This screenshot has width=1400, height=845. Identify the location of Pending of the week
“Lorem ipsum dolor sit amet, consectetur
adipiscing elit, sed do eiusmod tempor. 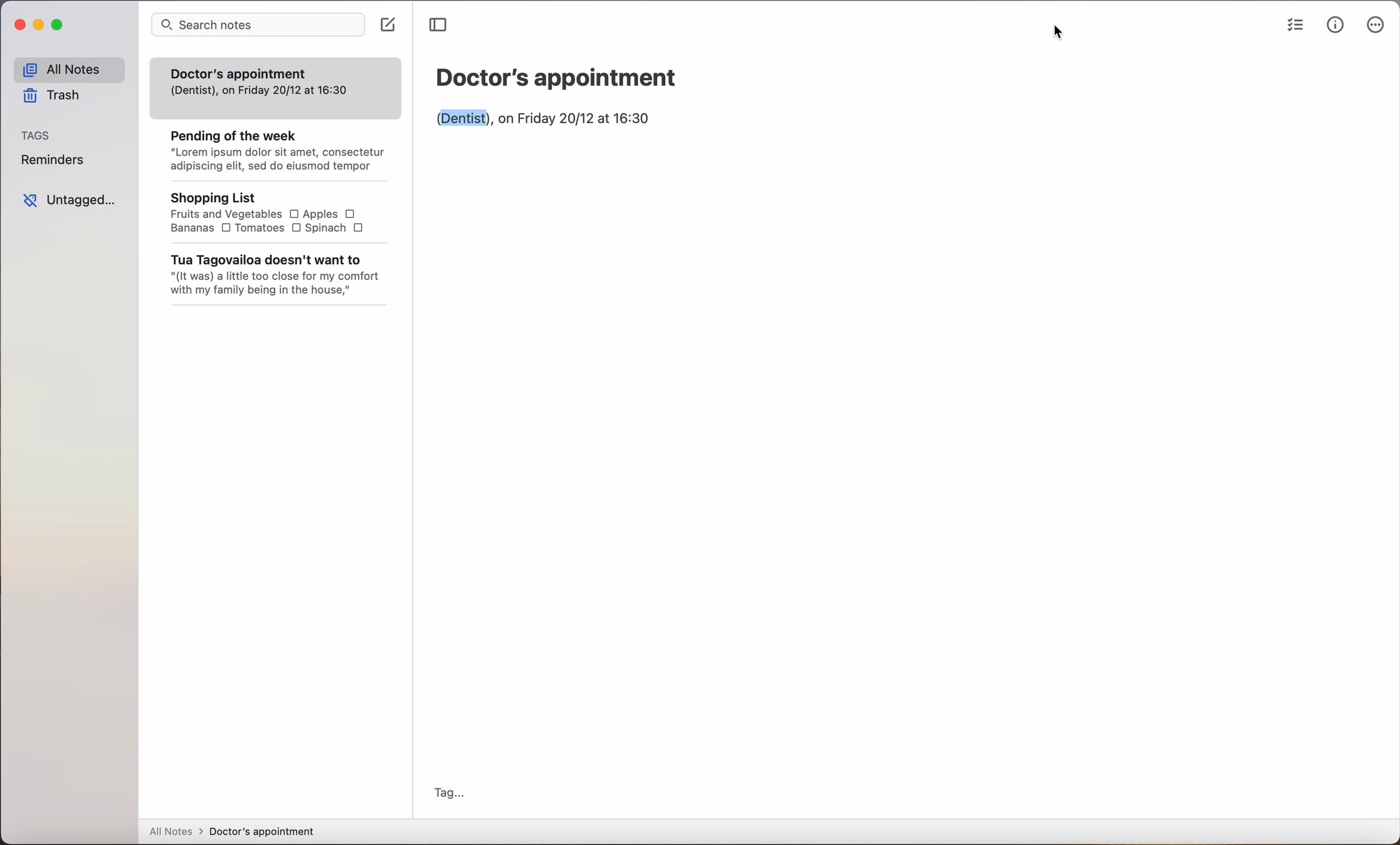
(270, 147).